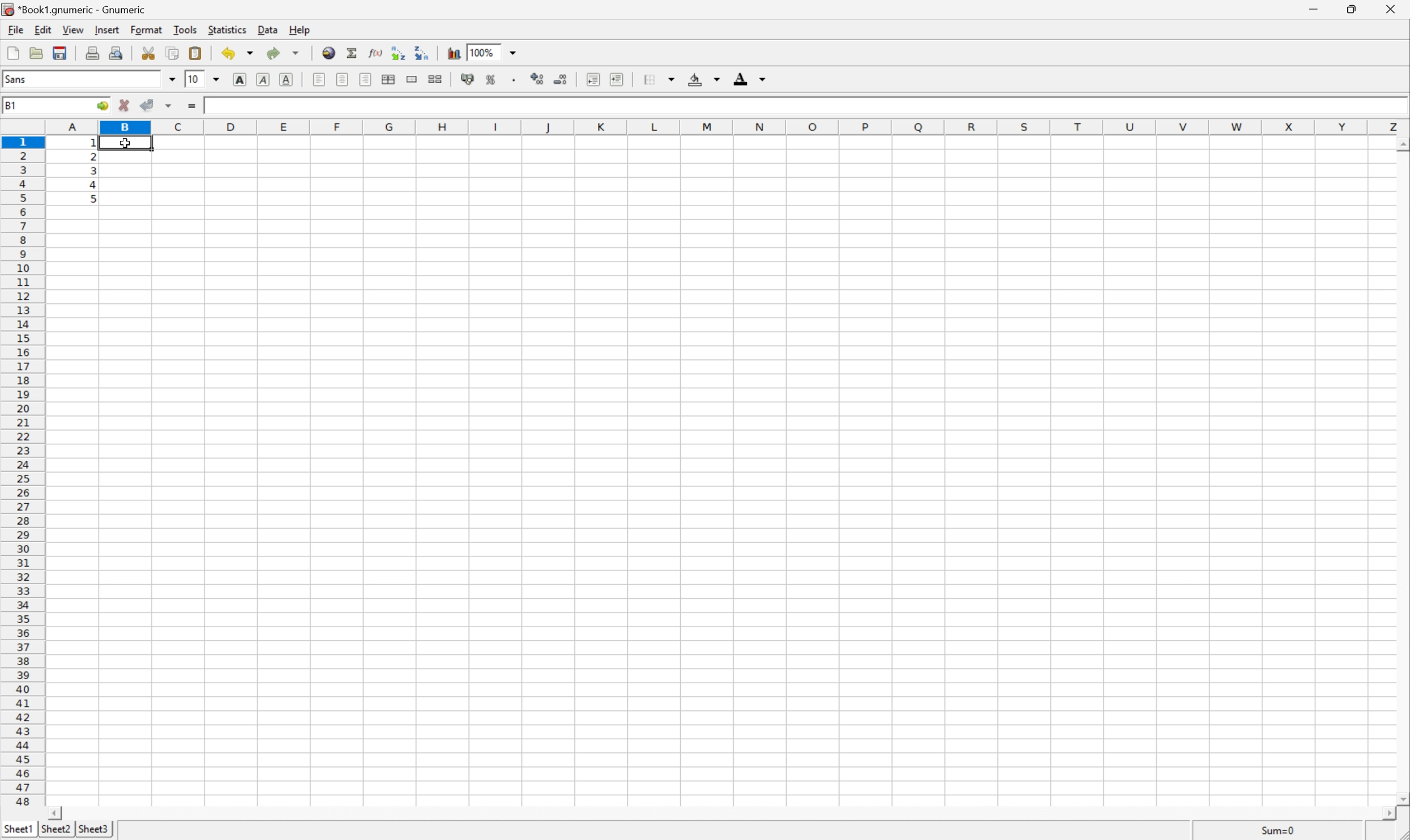  I want to click on Insert a hyperlink, so click(329, 53).